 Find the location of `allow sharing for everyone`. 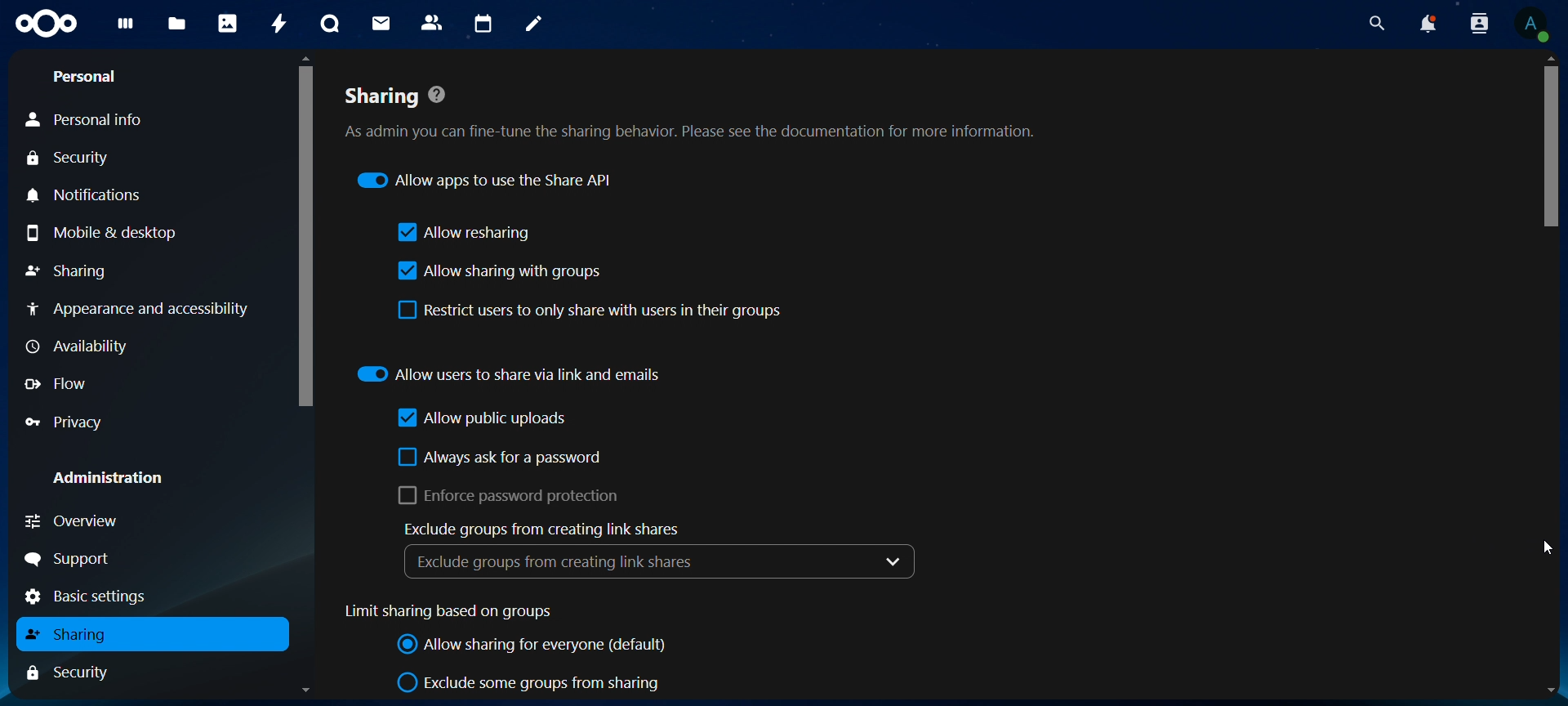

allow sharing for everyone is located at coordinates (558, 644).